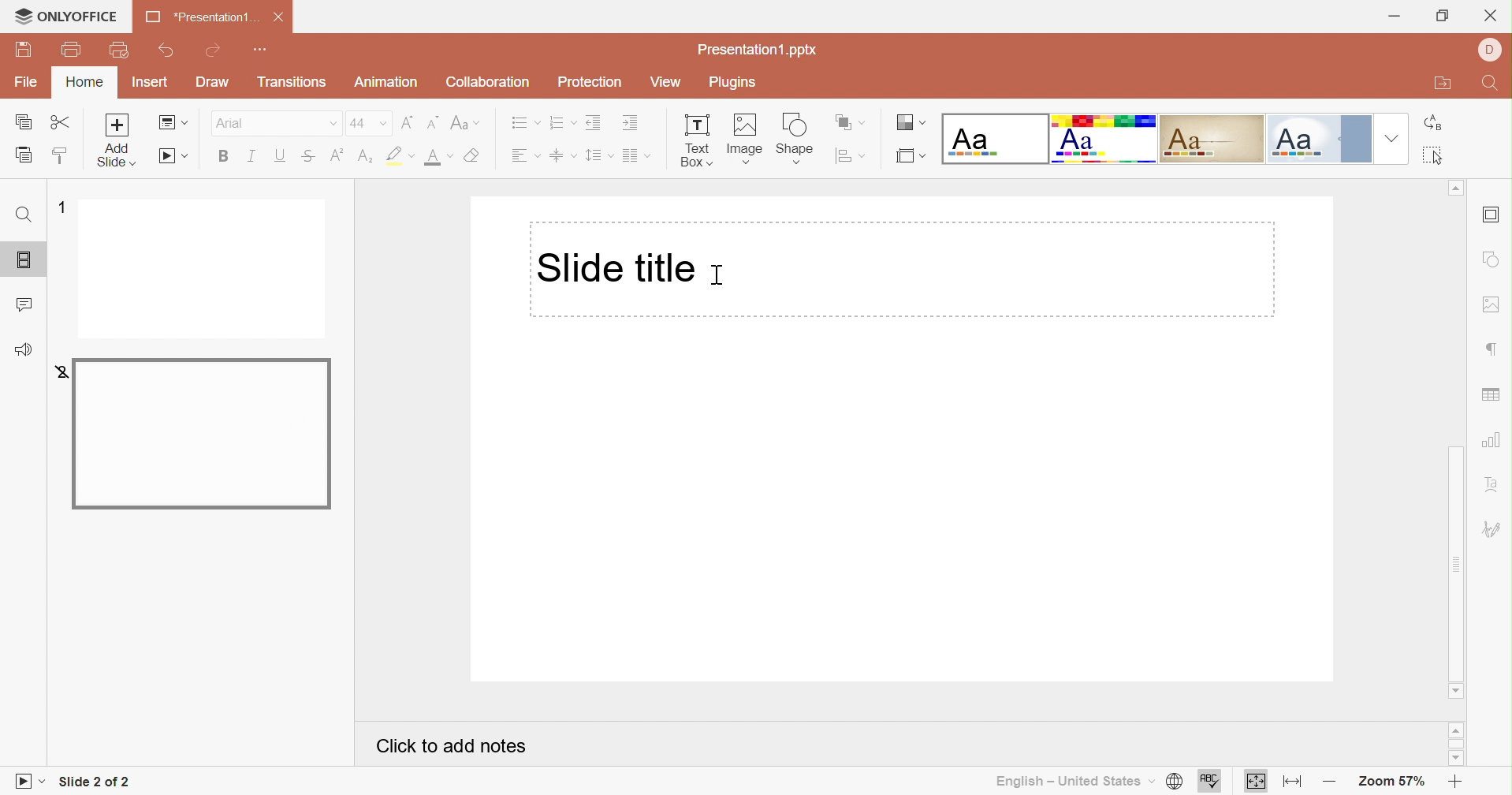 This screenshot has width=1512, height=795. I want to click on Draw, so click(210, 82).